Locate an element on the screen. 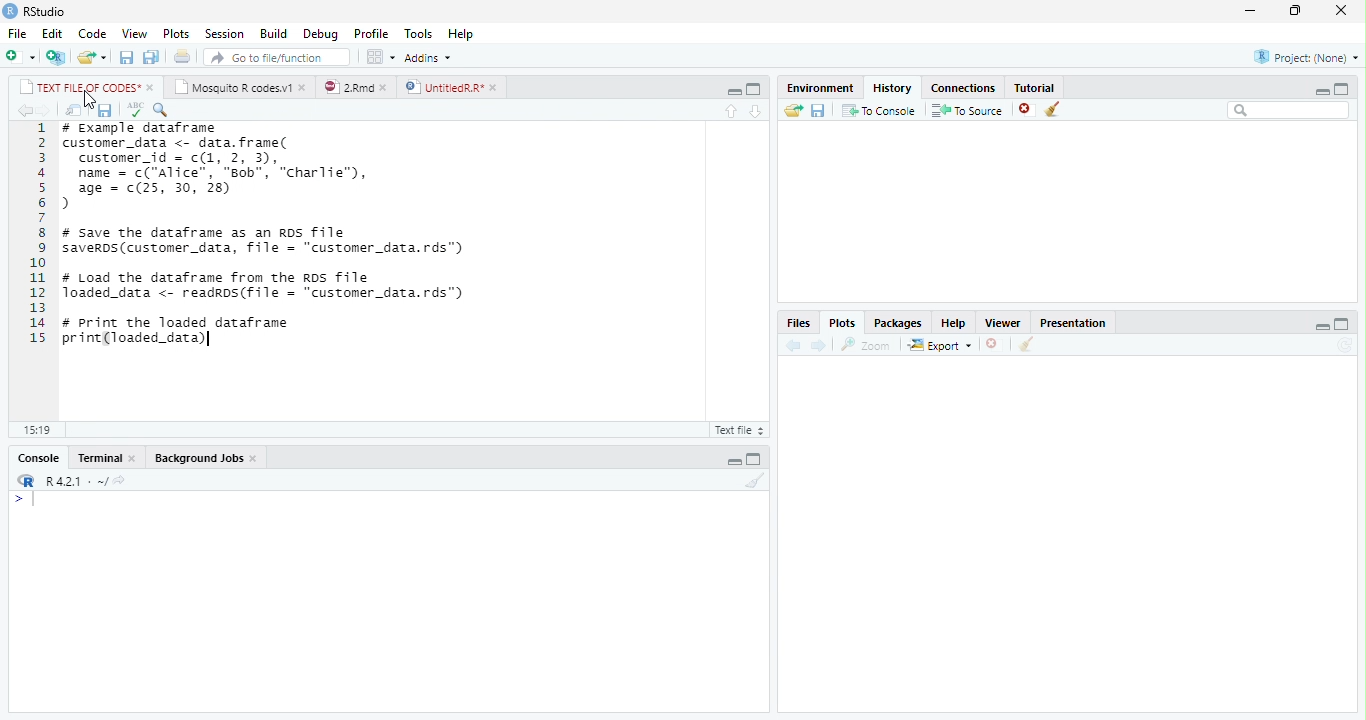 Image resolution: width=1366 pixels, height=720 pixels. logo is located at coordinates (9, 11).